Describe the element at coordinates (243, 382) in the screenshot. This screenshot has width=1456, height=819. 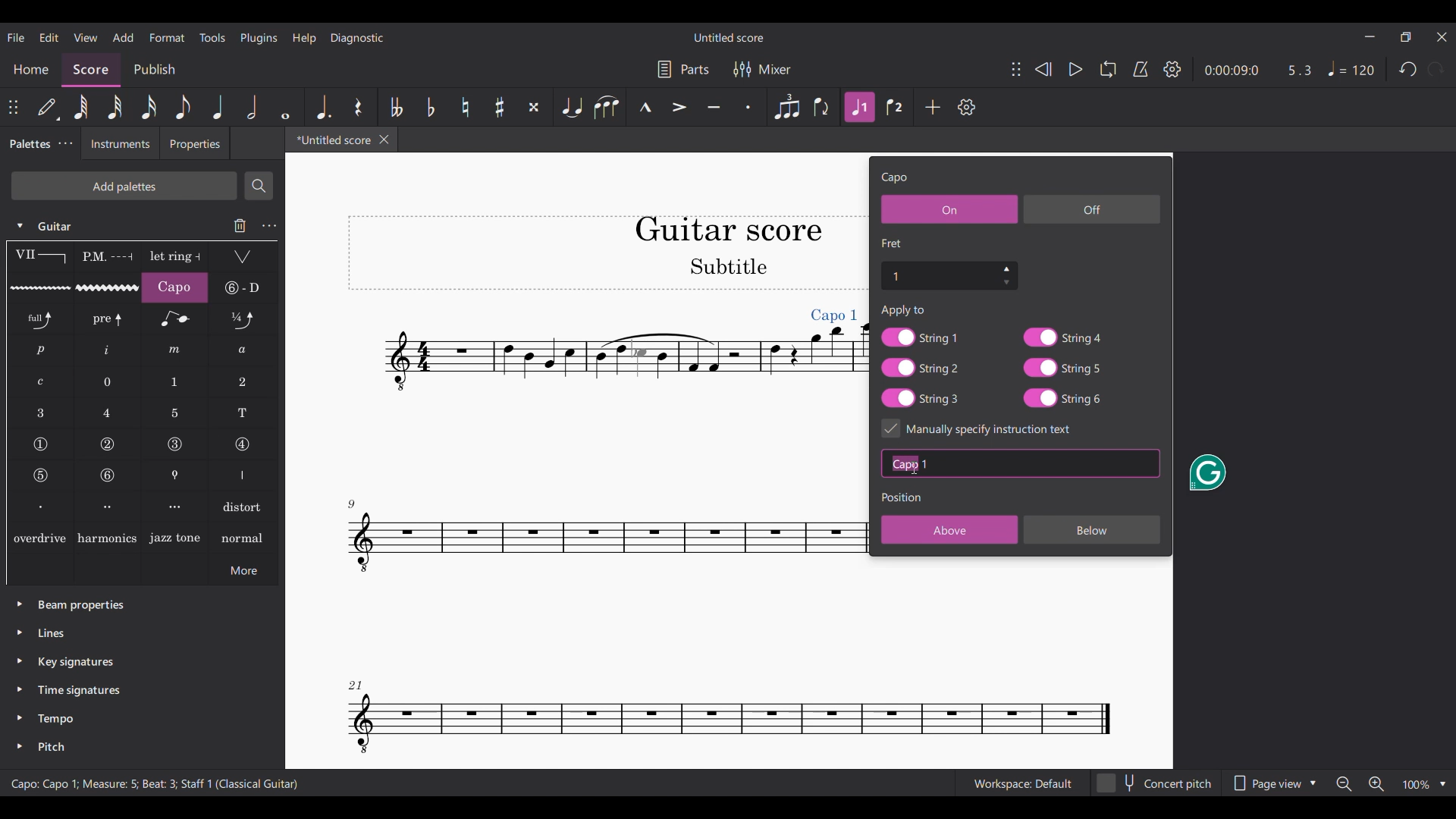
I see `LH guitar fingering 2` at that location.